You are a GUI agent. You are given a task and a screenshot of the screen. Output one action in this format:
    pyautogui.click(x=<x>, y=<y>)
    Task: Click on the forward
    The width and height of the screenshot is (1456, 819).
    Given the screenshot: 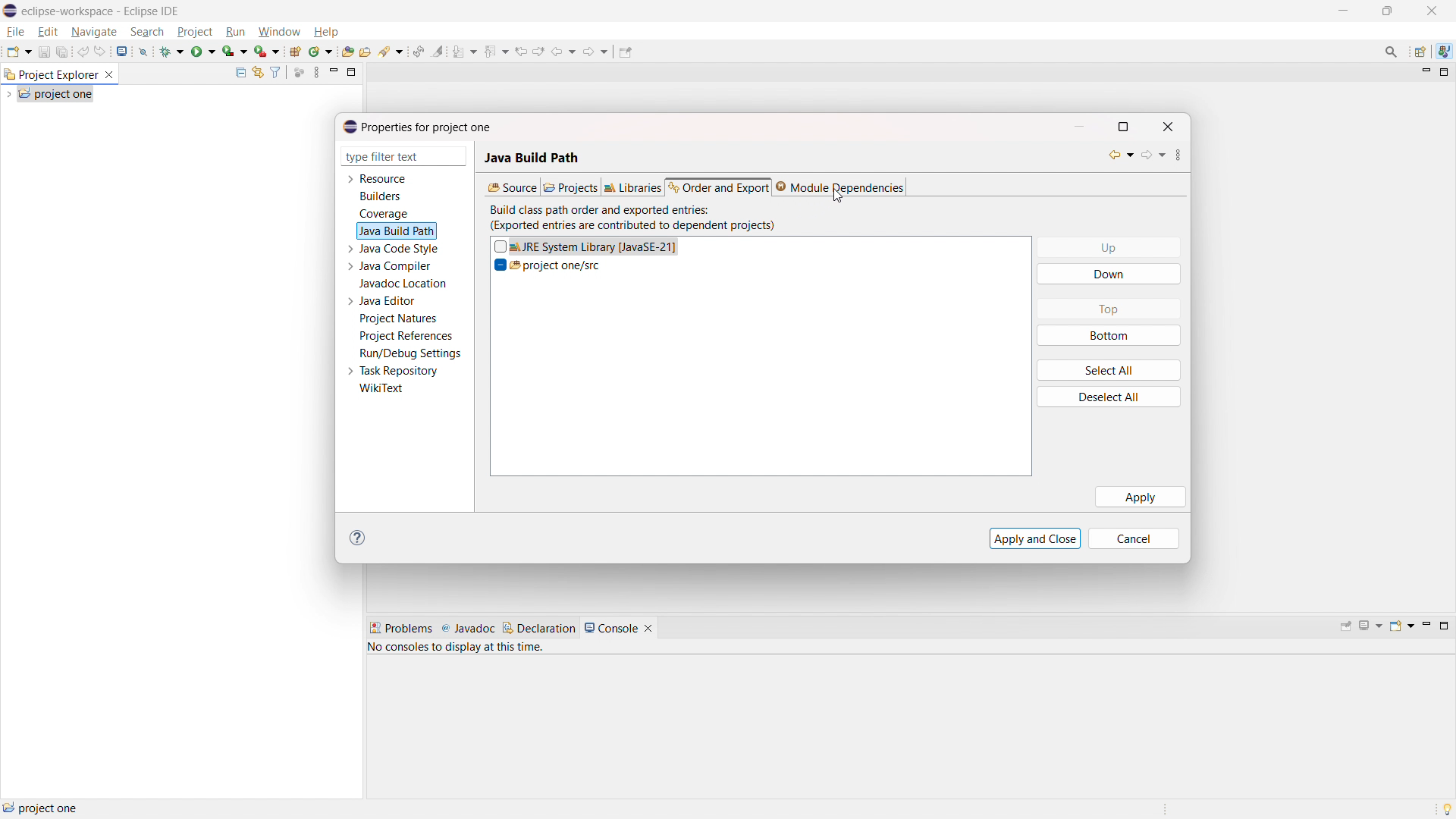 What is the action you would take?
    pyautogui.click(x=1154, y=157)
    